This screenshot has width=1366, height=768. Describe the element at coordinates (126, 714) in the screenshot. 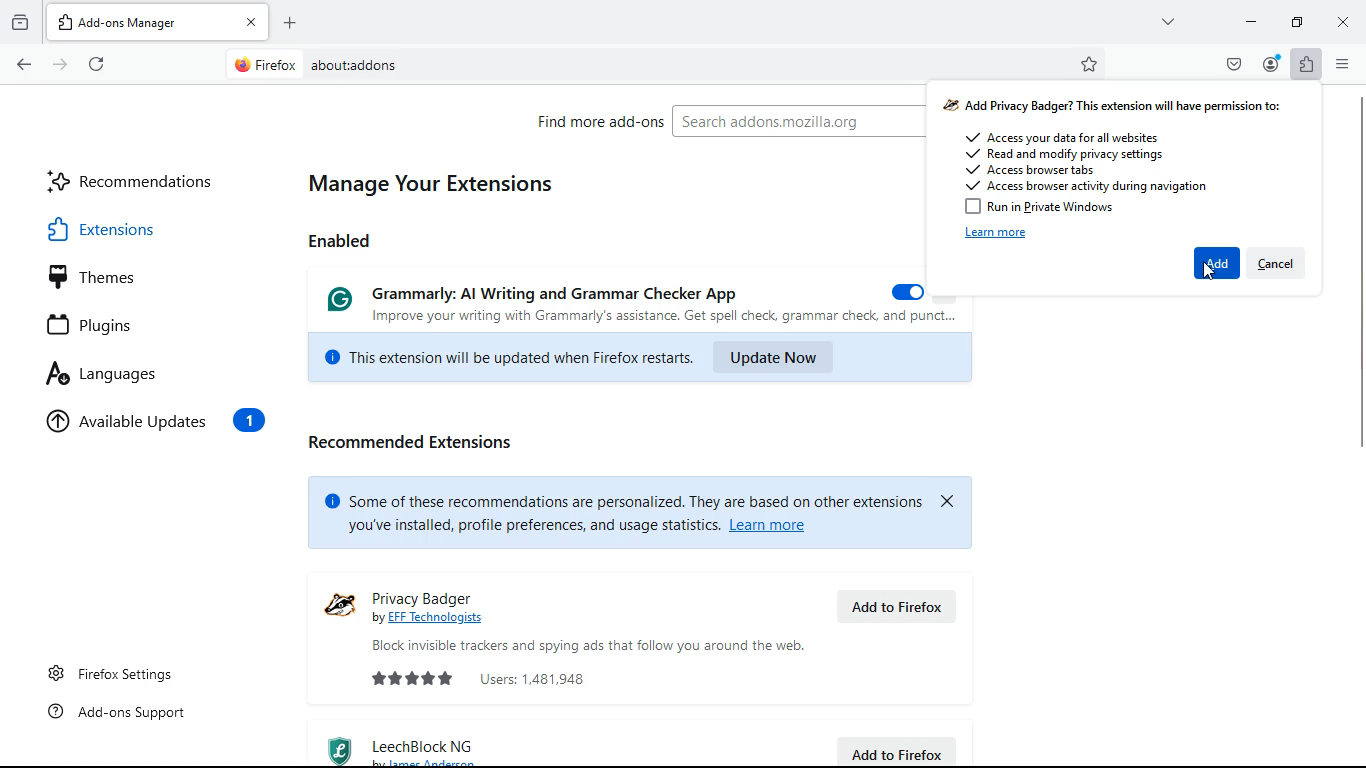

I see `Add-ons support` at that location.